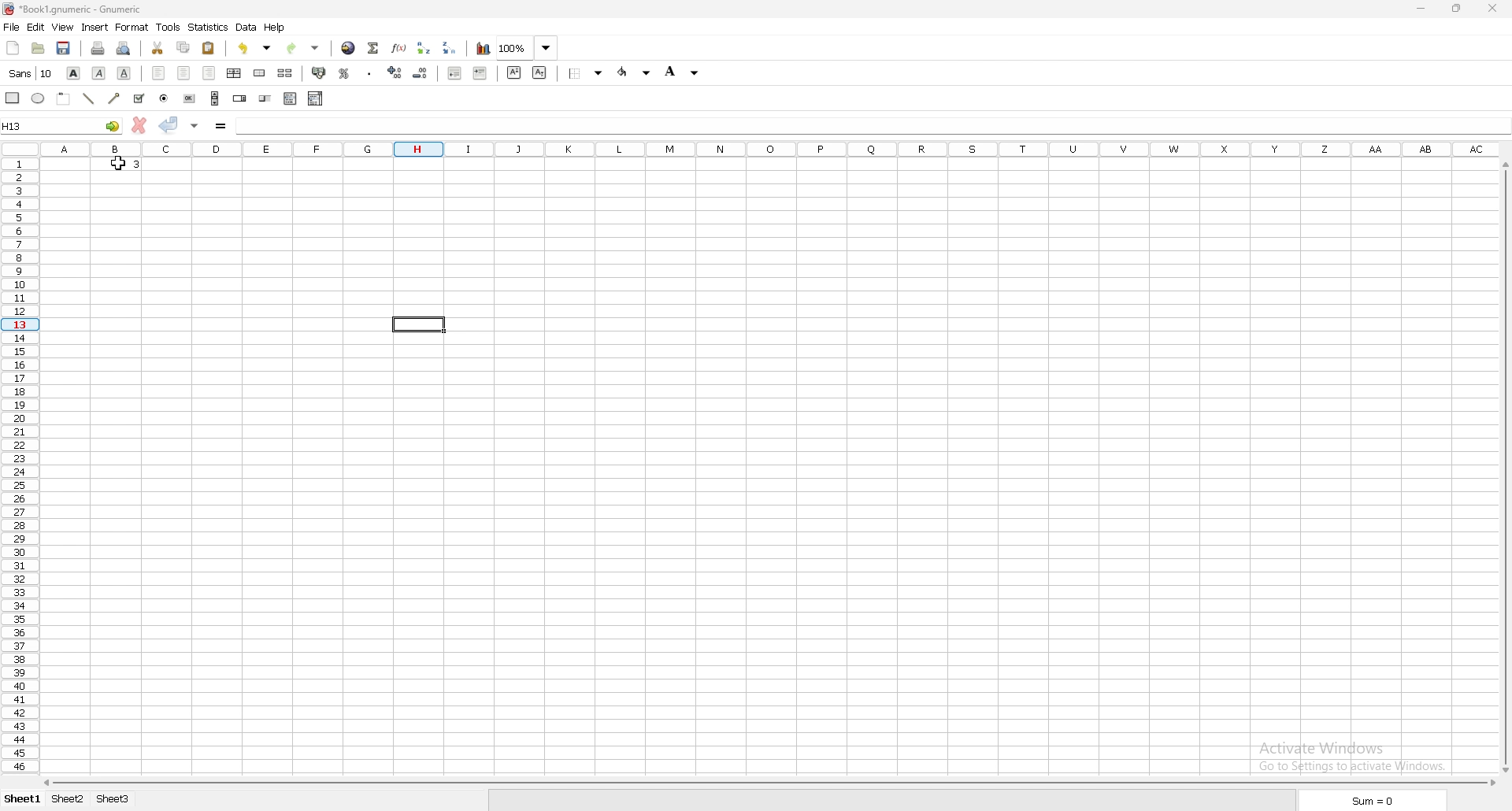 Image resolution: width=1512 pixels, height=811 pixels. Describe the element at coordinates (344, 73) in the screenshot. I see `percentage` at that location.